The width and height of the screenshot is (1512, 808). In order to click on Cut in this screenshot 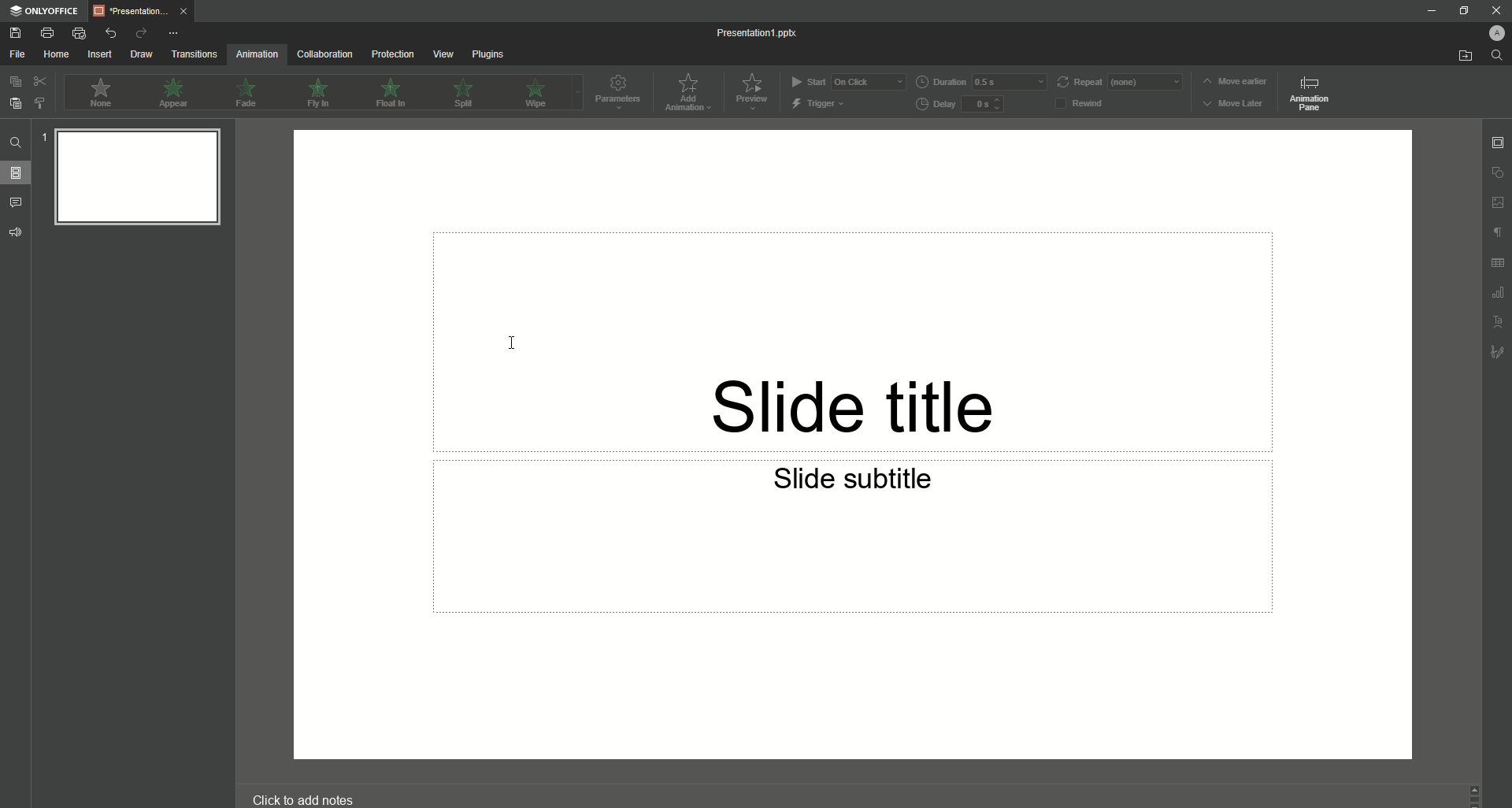, I will do `click(37, 82)`.